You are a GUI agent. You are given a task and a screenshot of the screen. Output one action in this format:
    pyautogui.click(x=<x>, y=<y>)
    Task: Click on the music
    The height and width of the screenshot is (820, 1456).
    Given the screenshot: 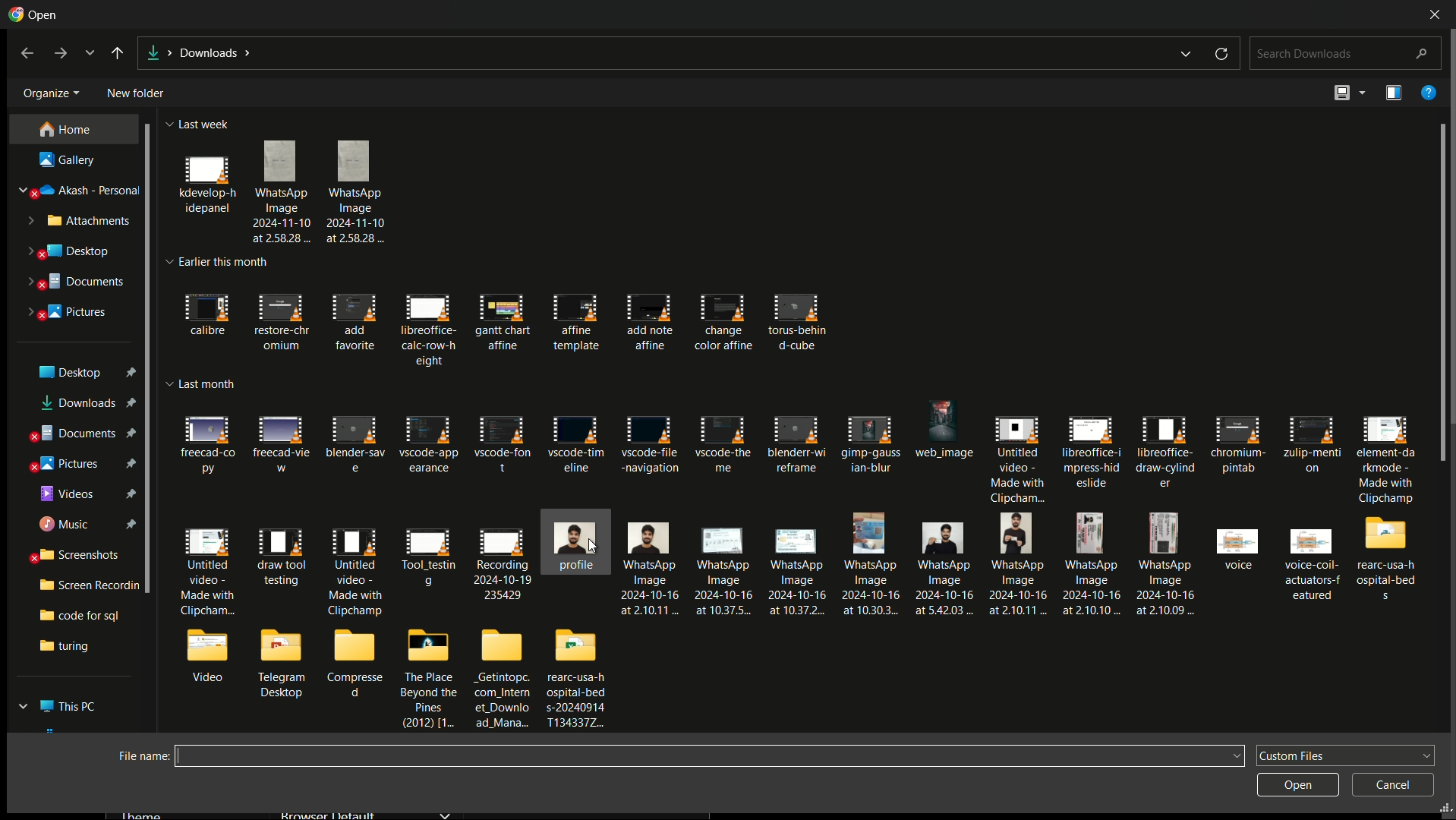 What is the action you would take?
    pyautogui.click(x=82, y=524)
    